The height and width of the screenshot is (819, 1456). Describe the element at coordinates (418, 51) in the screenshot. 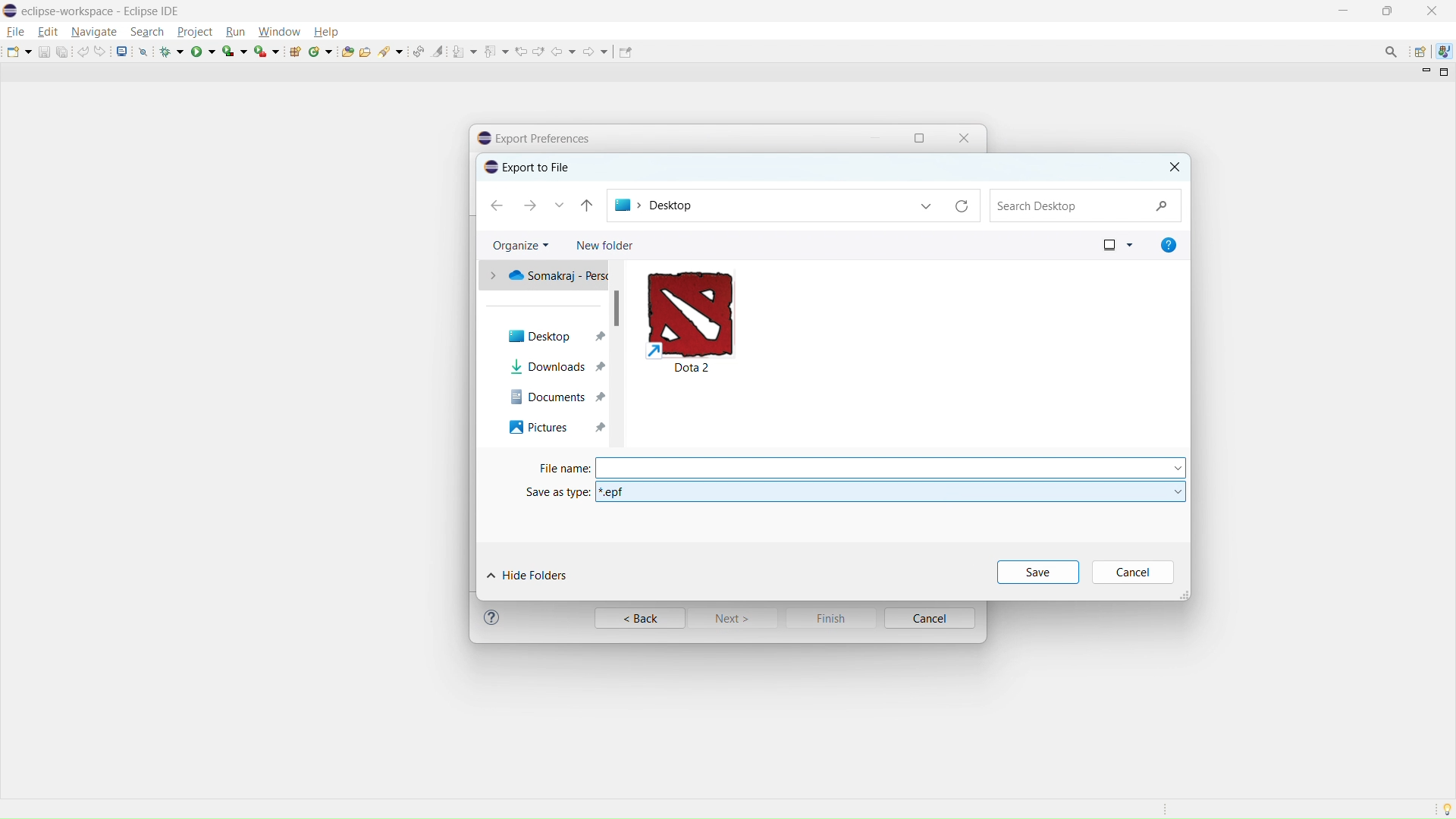

I see `toggle ant editor auto reconcile` at that location.